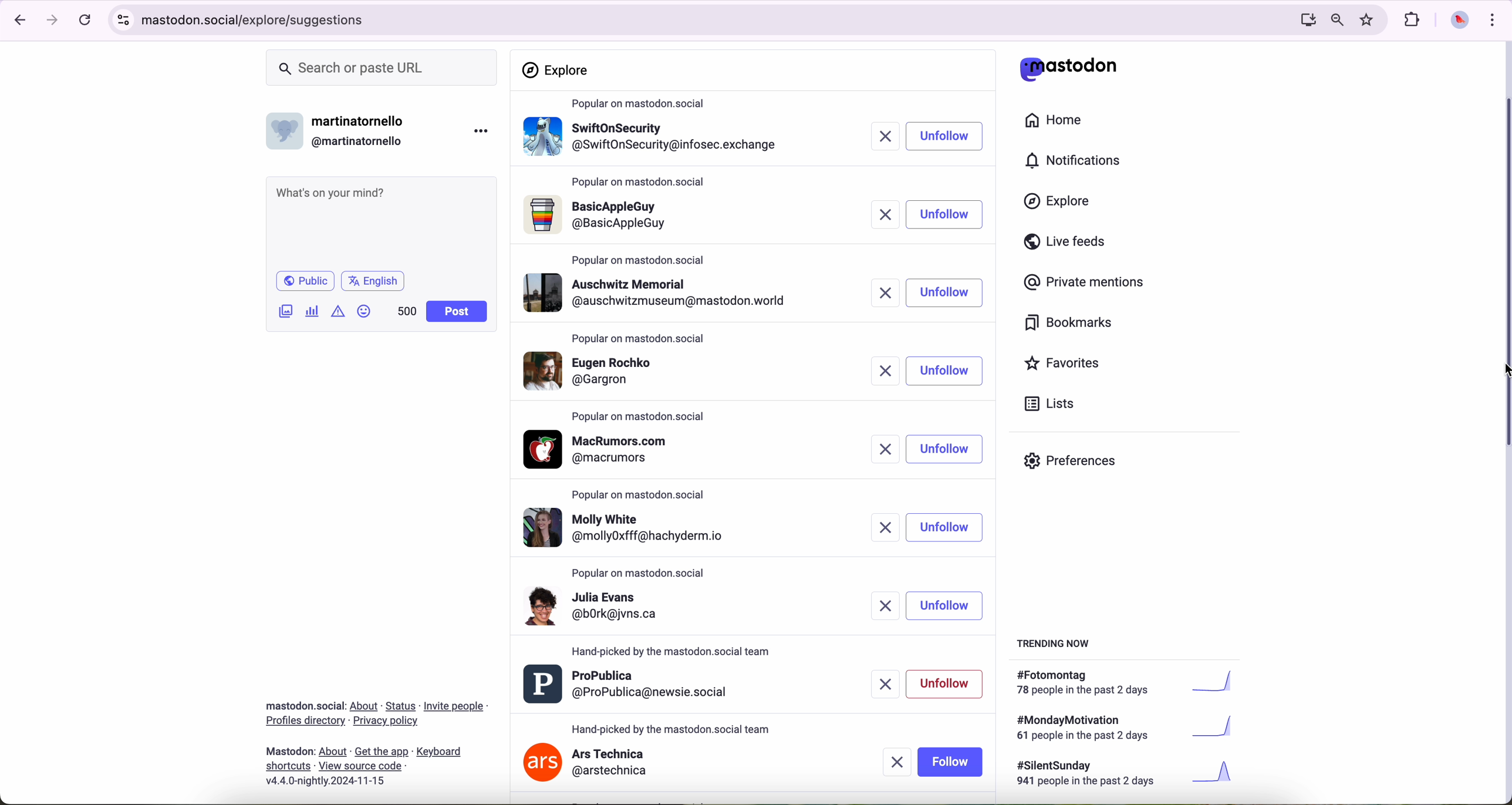 This screenshot has height=805, width=1512. Describe the element at coordinates (1133, 683) in the screenshot. I see `#fotomontag` at that location.